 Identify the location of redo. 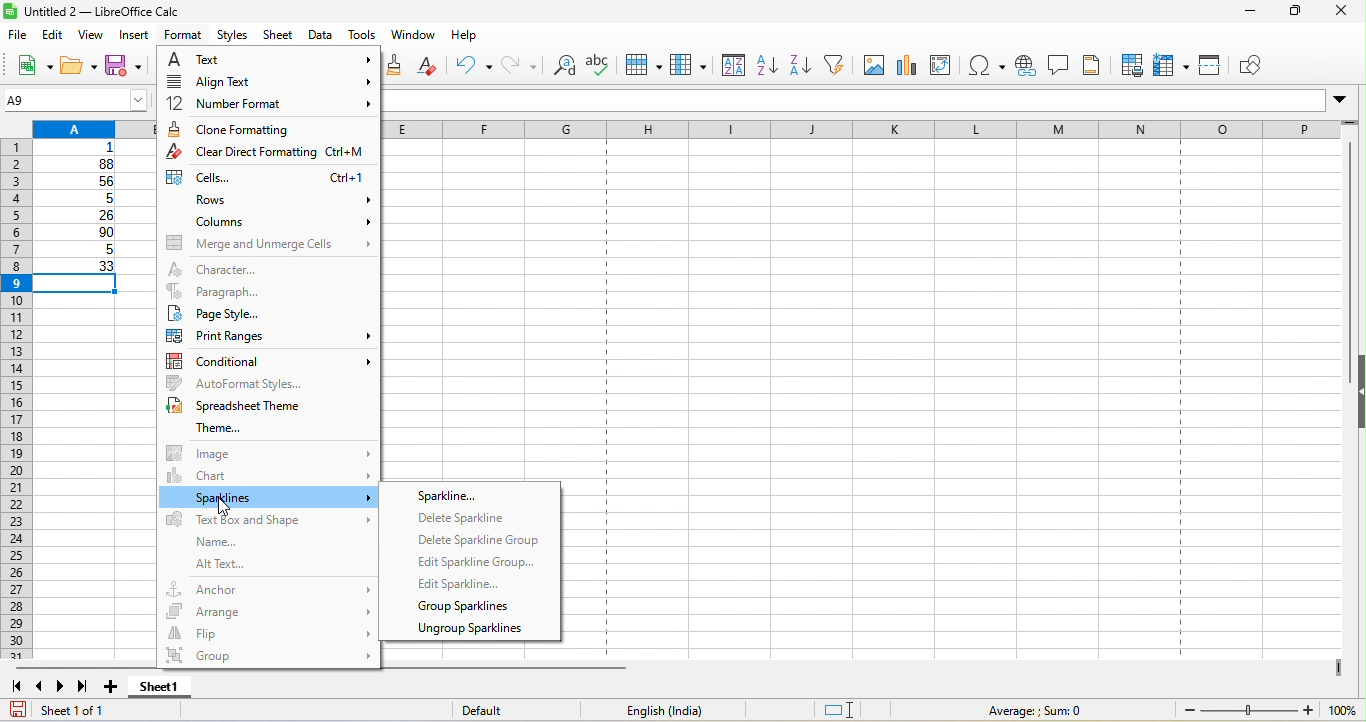
(521, 67).